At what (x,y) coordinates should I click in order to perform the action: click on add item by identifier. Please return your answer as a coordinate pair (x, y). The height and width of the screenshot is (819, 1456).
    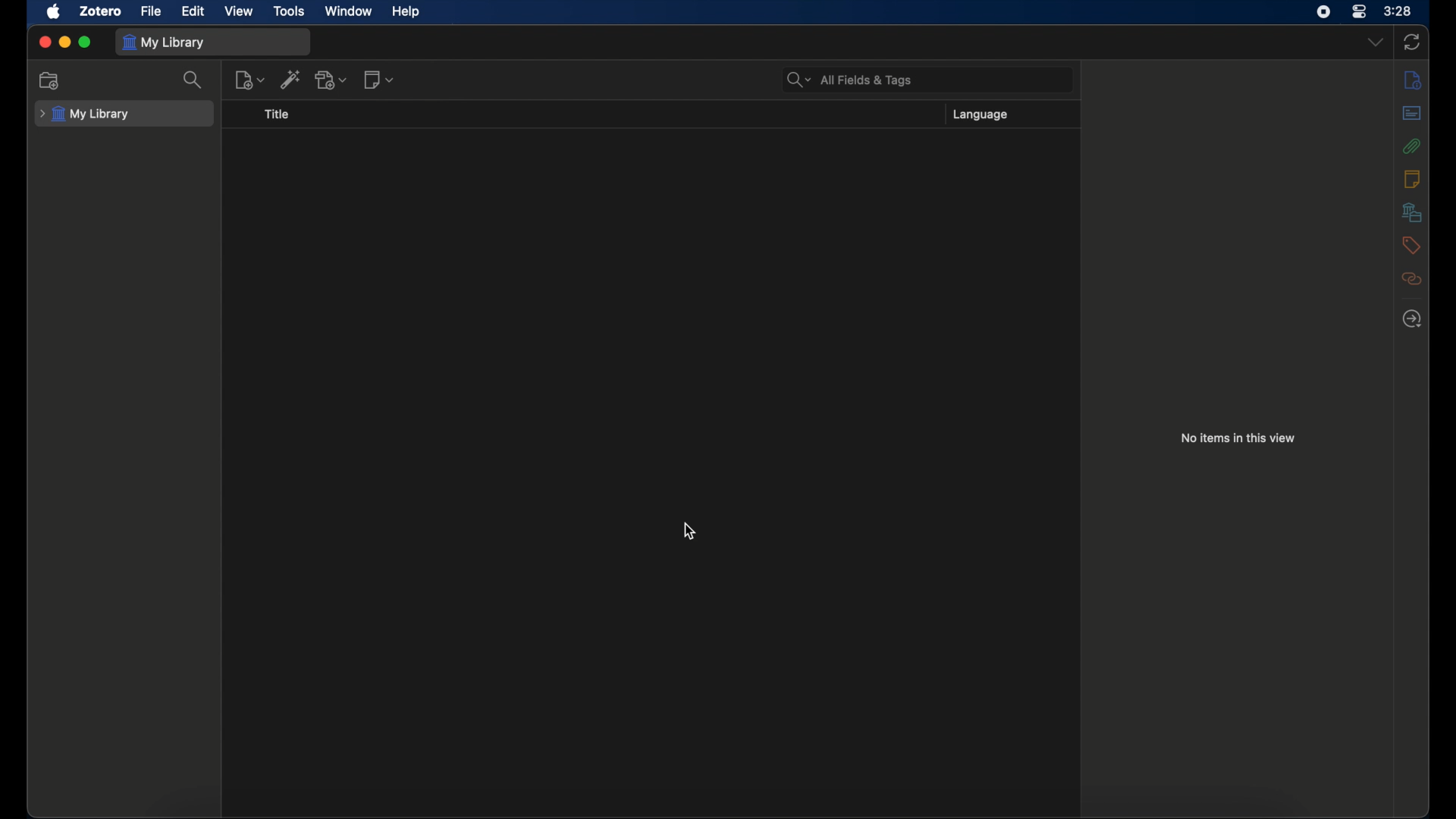
    Looking at the image, I should click on (290, 79).